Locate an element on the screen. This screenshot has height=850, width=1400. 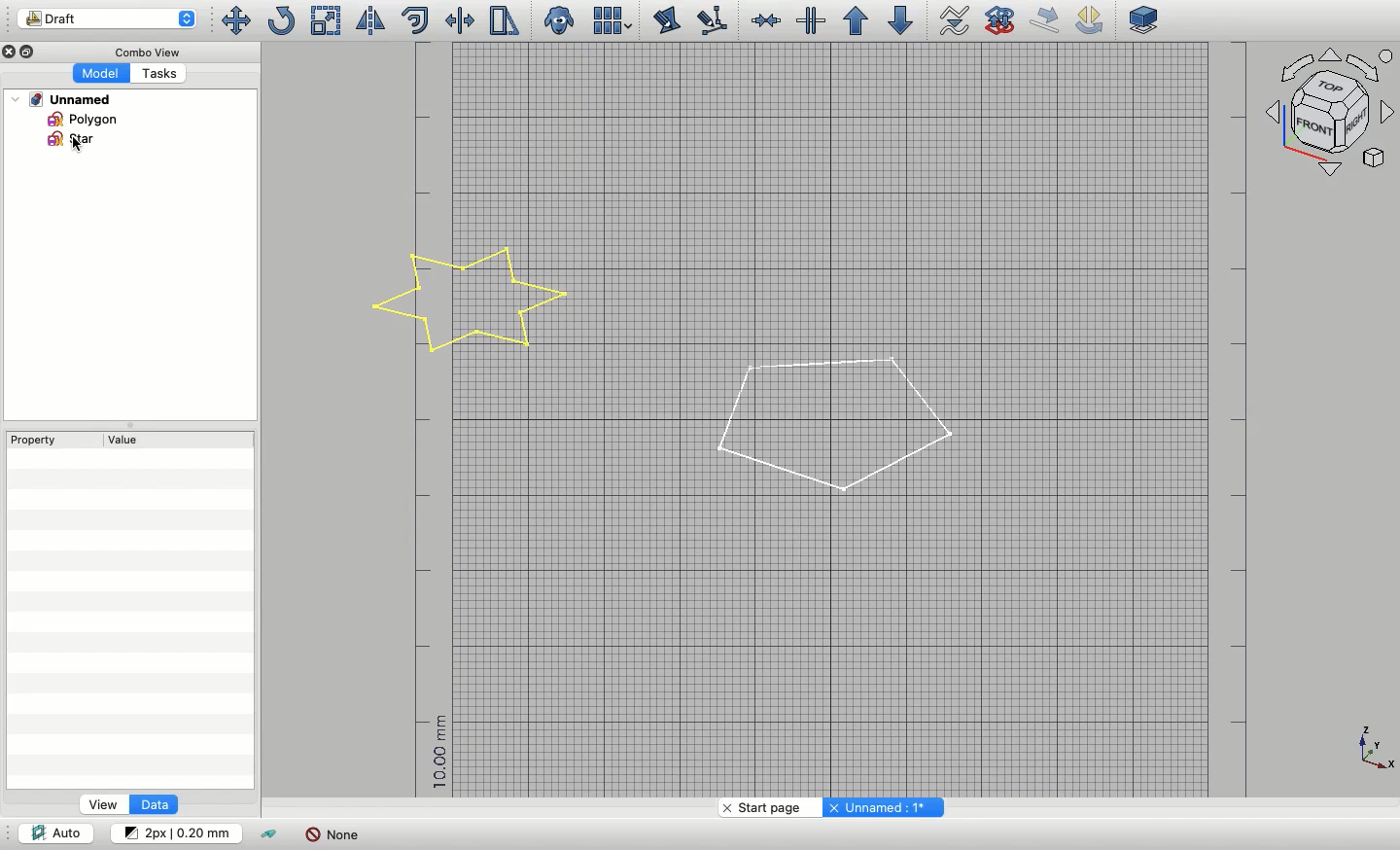
Upgrade is located at coordinates (856, 21).